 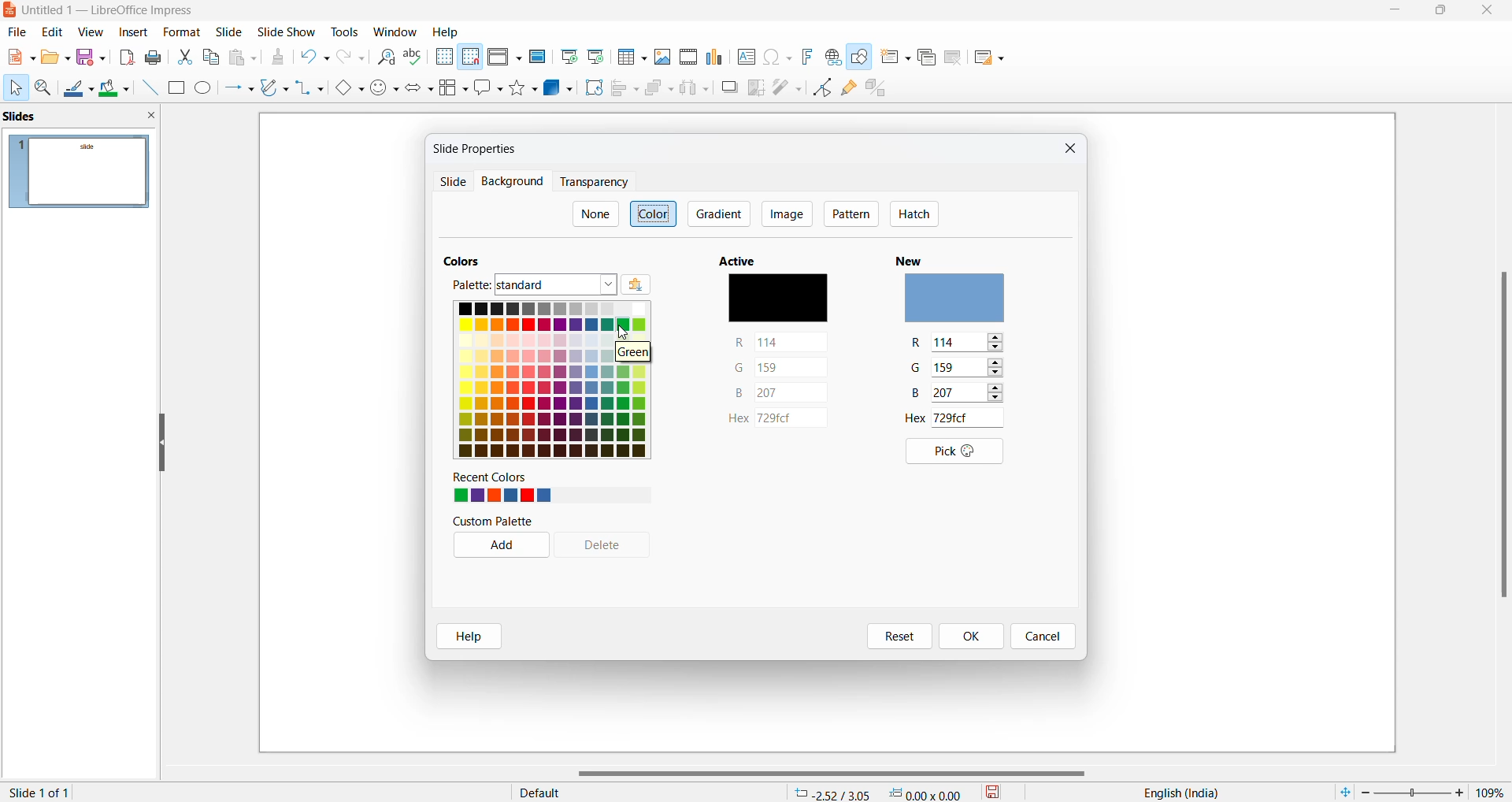 What do you see at coordinates (625, 89) in the screenshot?
I see `align` at bounding box center [625, 89].